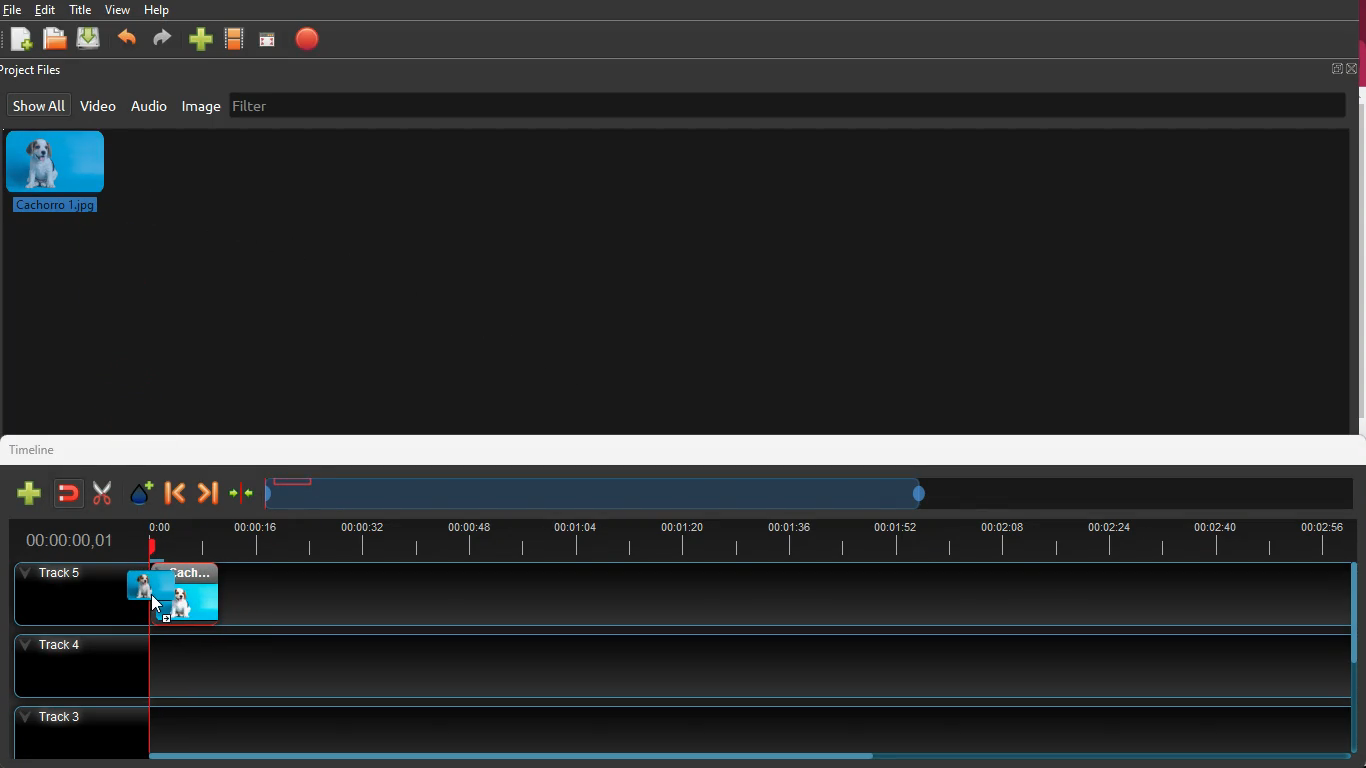 The width and height of the screenshot is (1366, 768). What do you see at coordinates (67, 493) in the screenshot?
I see `join` at bounding box center [67, 493].